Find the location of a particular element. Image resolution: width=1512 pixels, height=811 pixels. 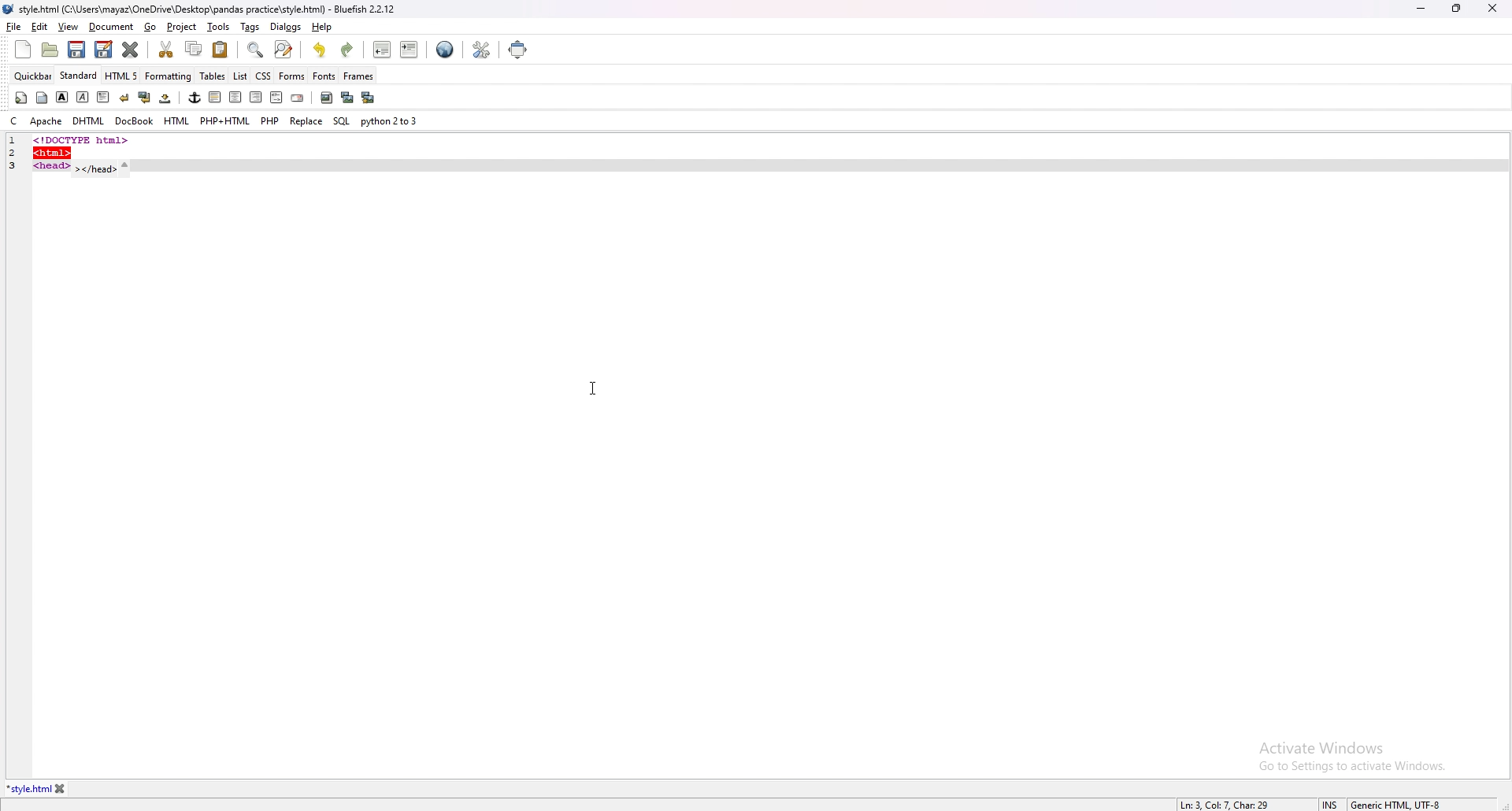

break and clear is located at coordinates (143, 98).